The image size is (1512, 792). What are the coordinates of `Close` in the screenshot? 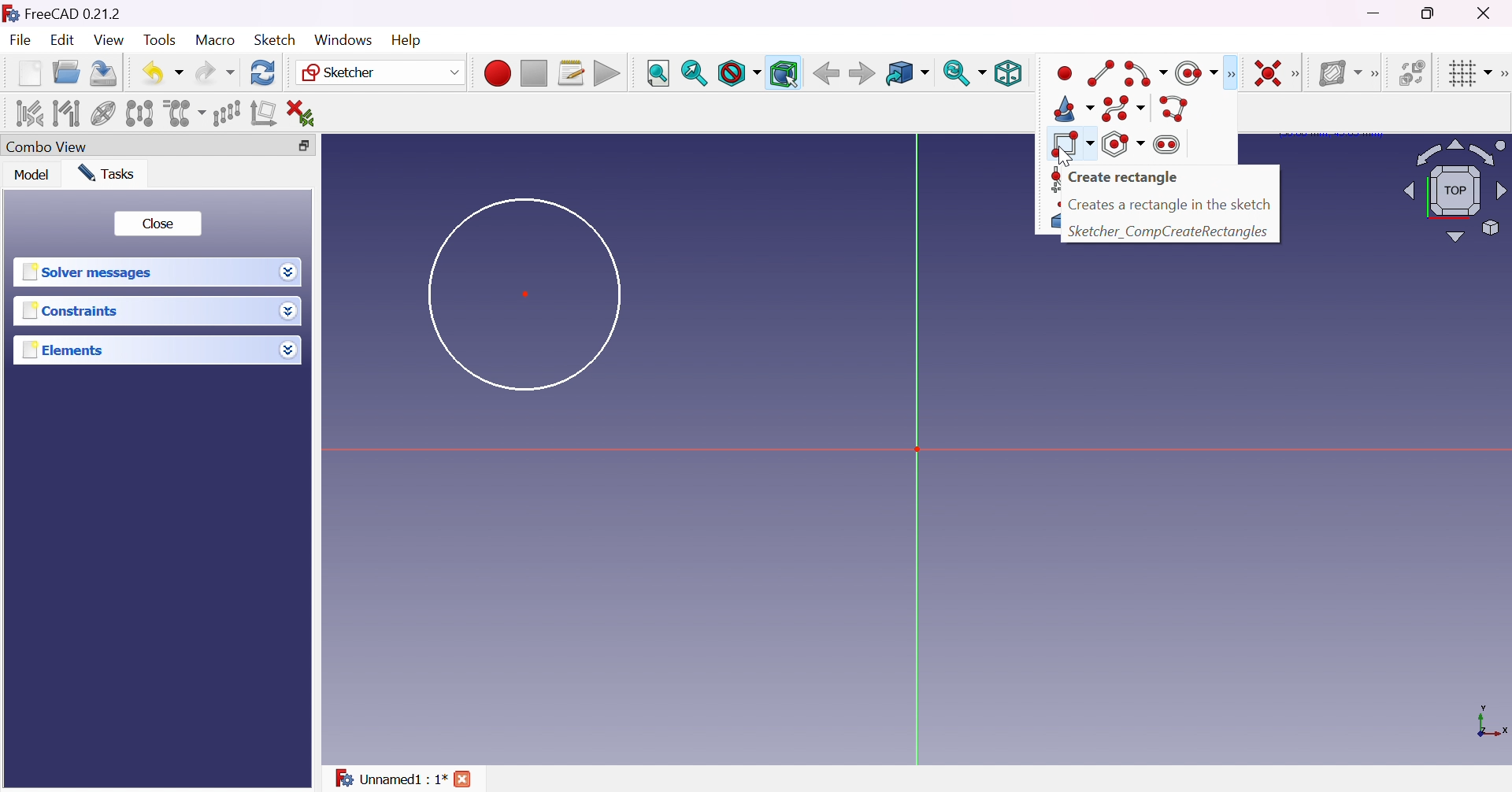 It's located at (157, 224).